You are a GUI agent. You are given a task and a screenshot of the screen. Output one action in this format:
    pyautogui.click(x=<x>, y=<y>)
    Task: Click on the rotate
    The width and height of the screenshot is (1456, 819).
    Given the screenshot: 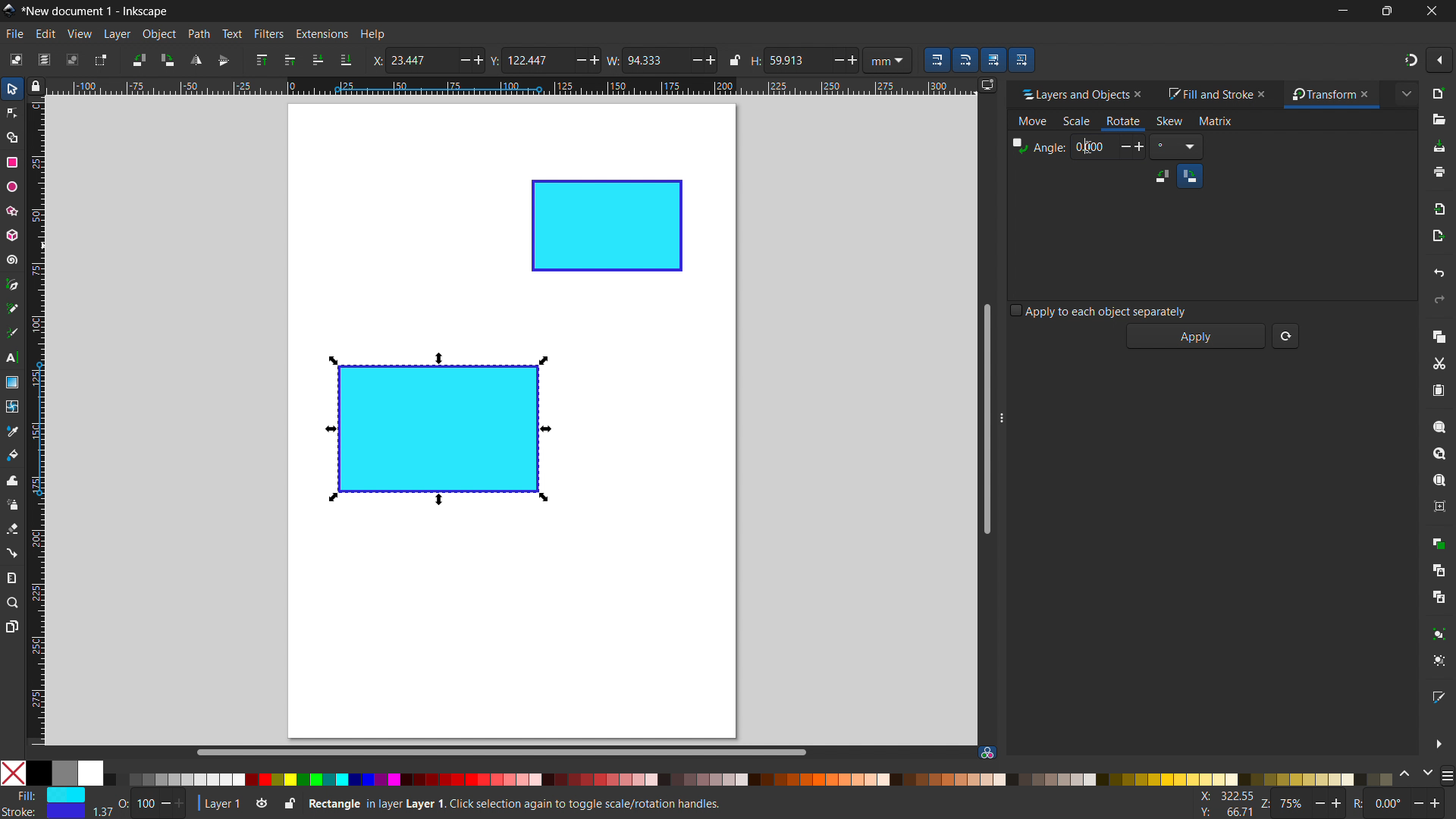 What is the action you would take?
    pyautogui.click(x=1122, y=121)
    